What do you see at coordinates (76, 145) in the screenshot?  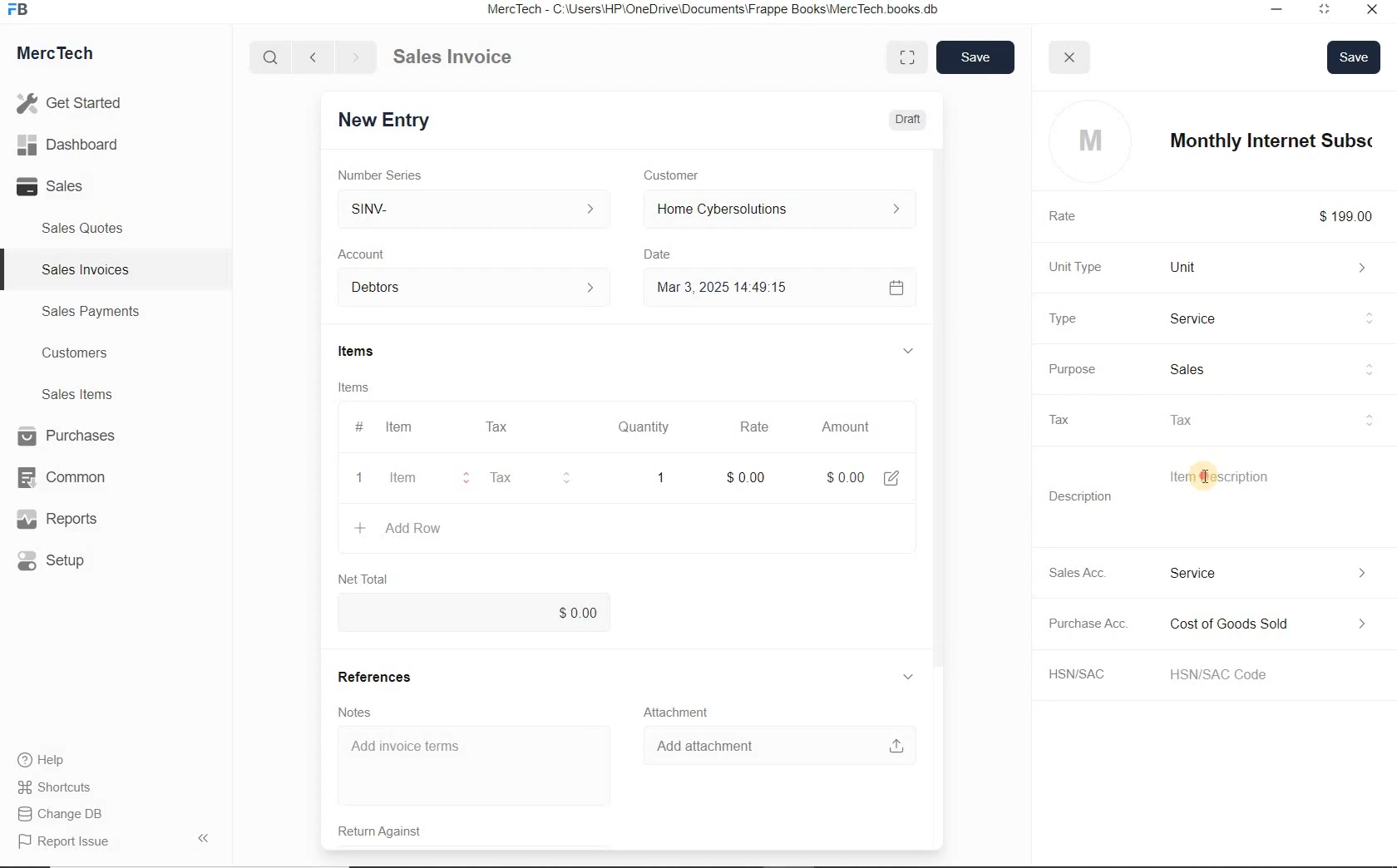 I see `Dashboard` at bounding box center [76, 145].